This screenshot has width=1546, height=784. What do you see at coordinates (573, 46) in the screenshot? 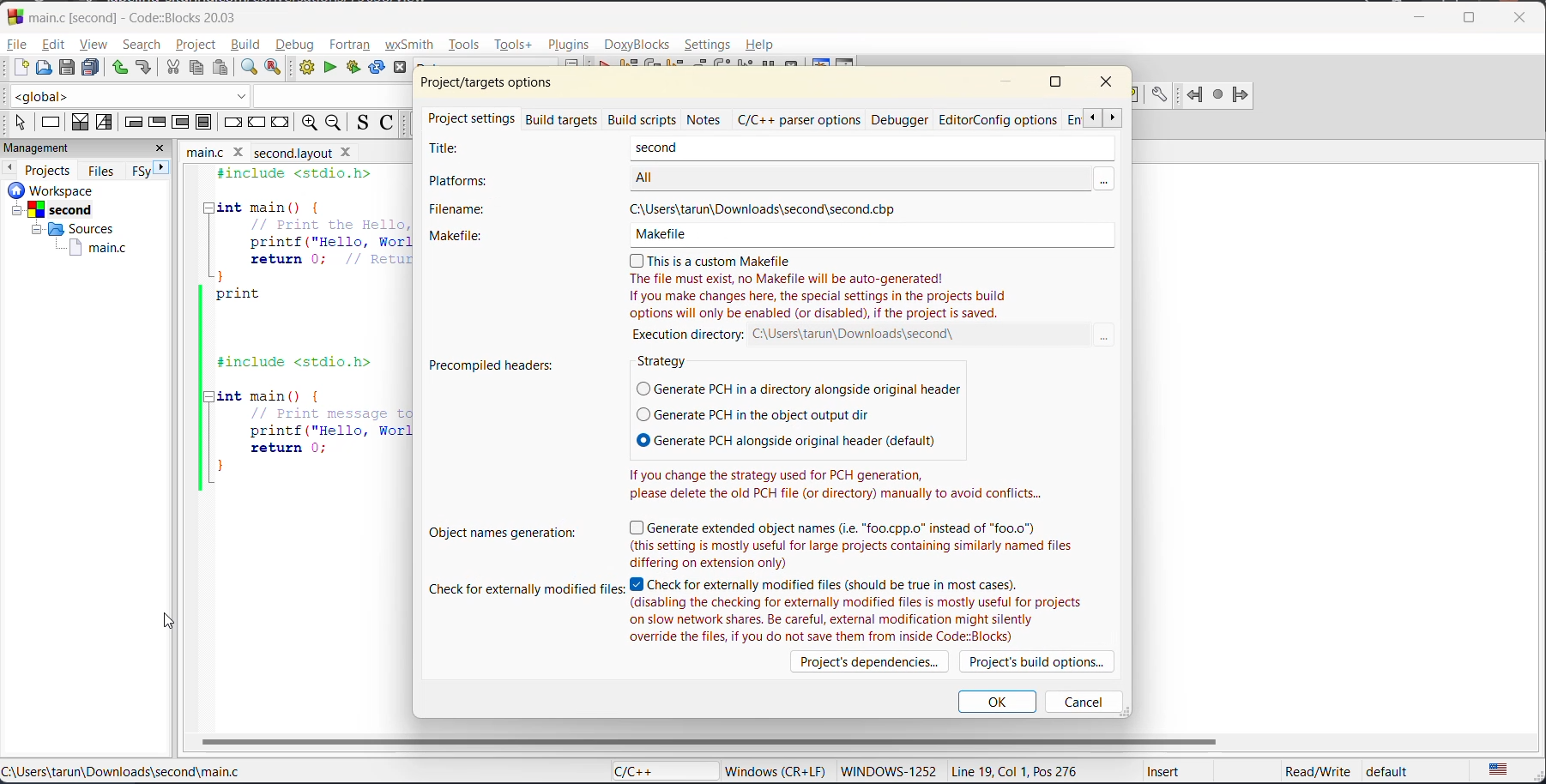
I see `plugins` at bounding box center [573, 46].